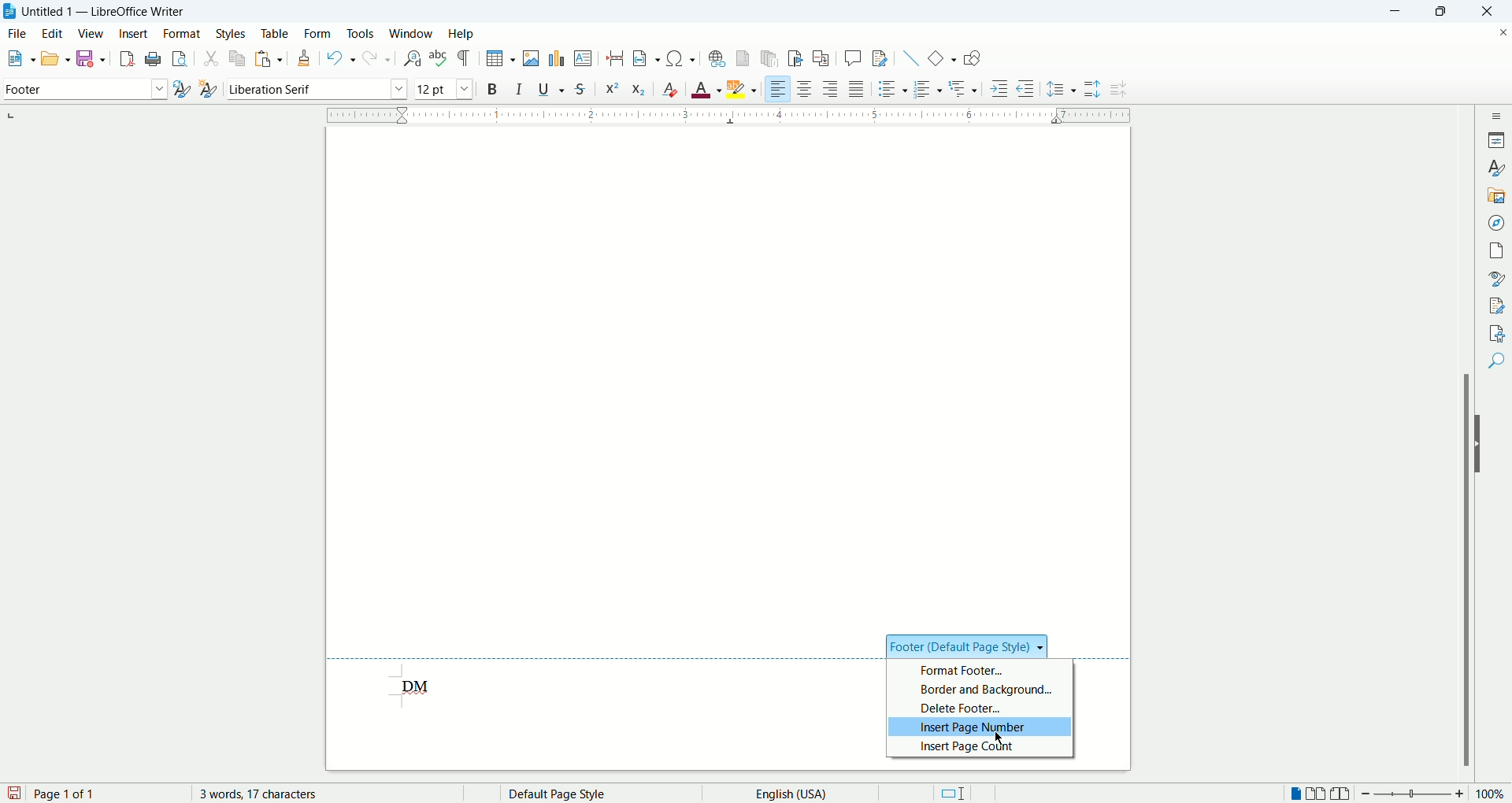  What do you see at coordinates (728, 113) in the screenshot?
I see `ruler` at bounding box center [728, 113].